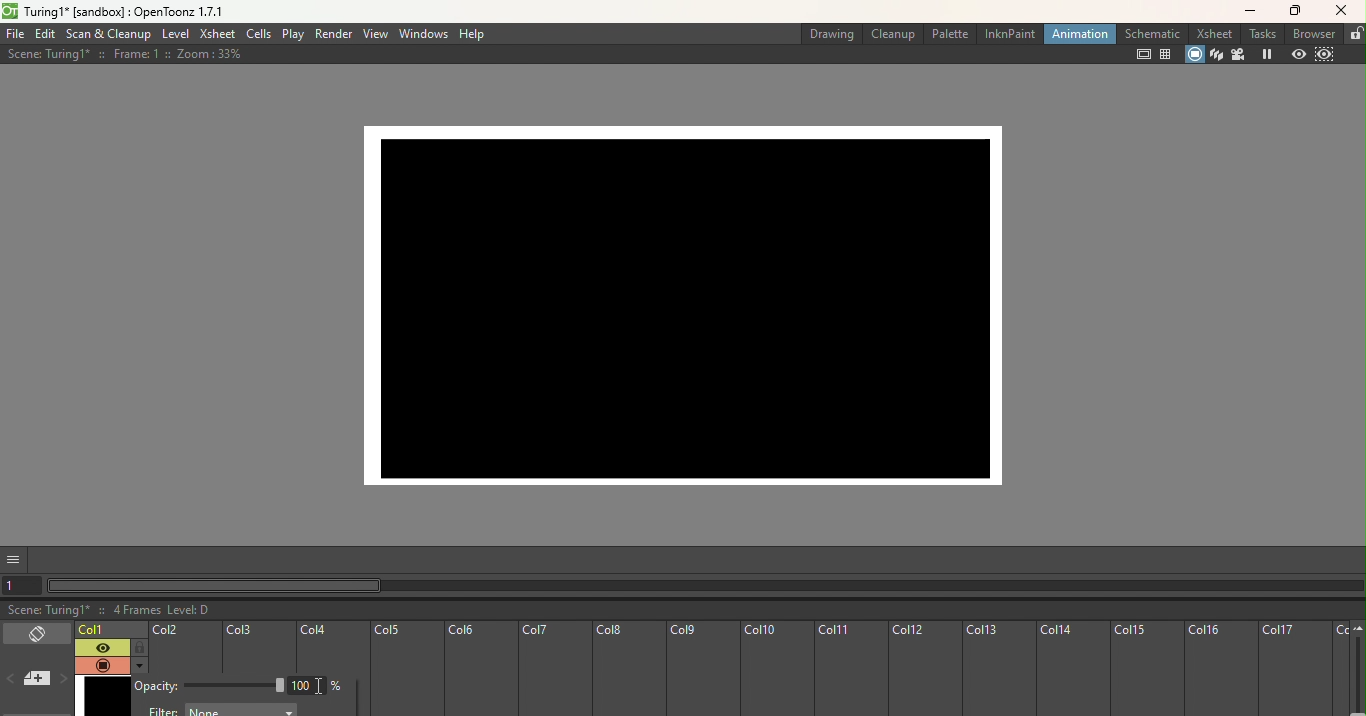 The height and width of the screenshot is (716, 1366). I want to click on Col4, so click(332, 646).